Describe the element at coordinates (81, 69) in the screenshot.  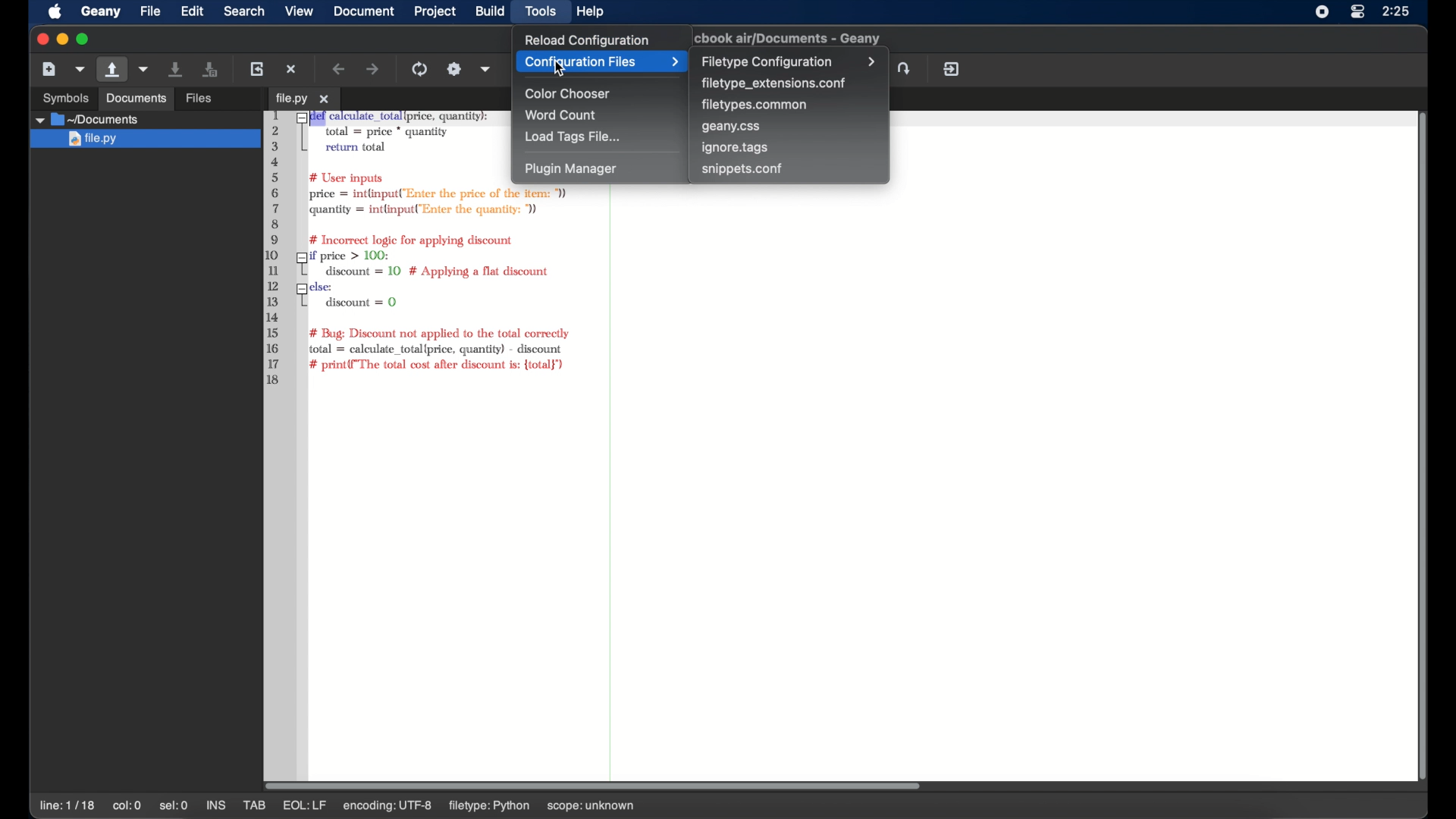
I see `create file from template` at that location.